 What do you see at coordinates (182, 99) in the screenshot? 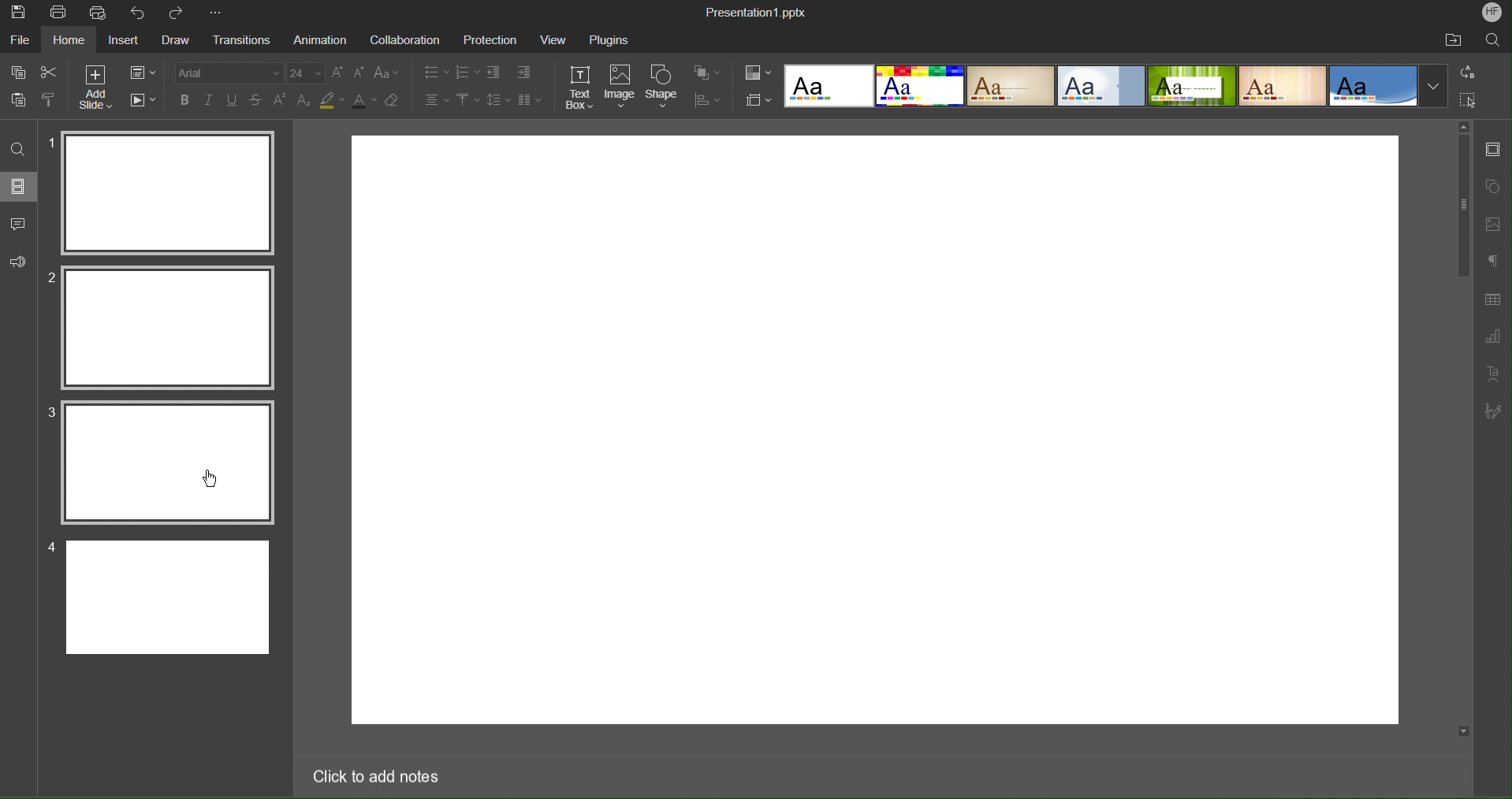
I see `bold` at bounding box center [182, 99].